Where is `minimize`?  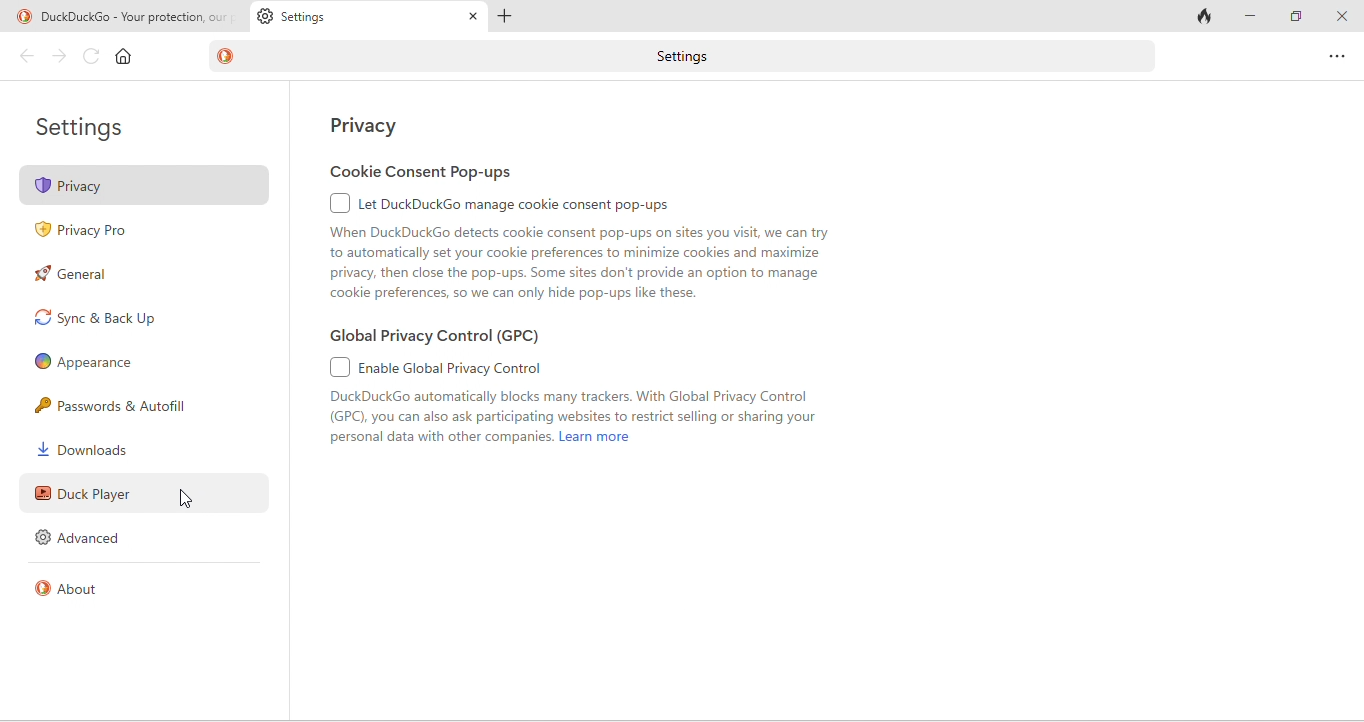 minimize is located at coordinates (1253, 17).